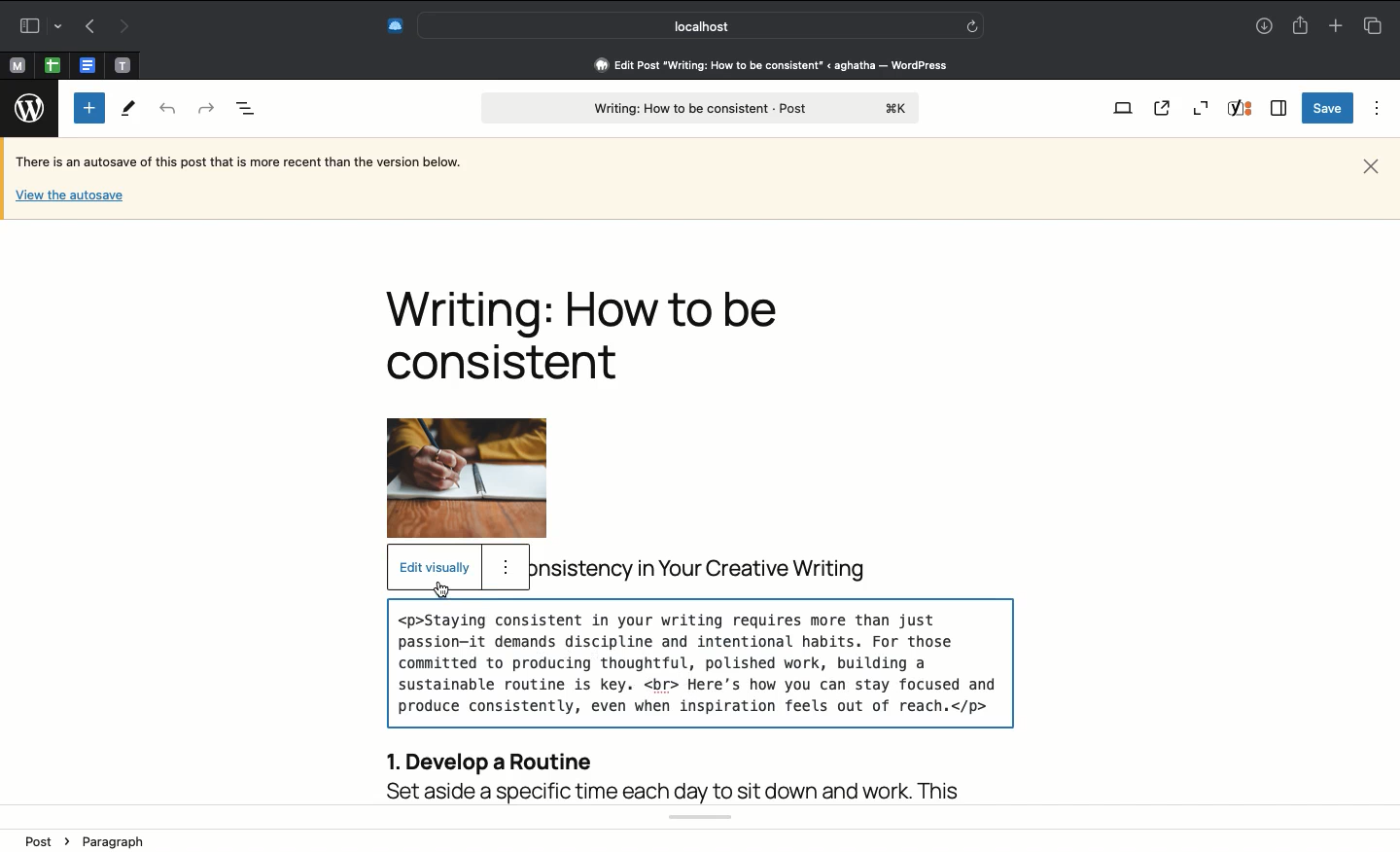 Image resolution: width=1400 pixels, height=852 pixels. What do you see at coordinates (1372, 25) in the screenshot?
I see `Tabs` at bounding box center [1372, 25].